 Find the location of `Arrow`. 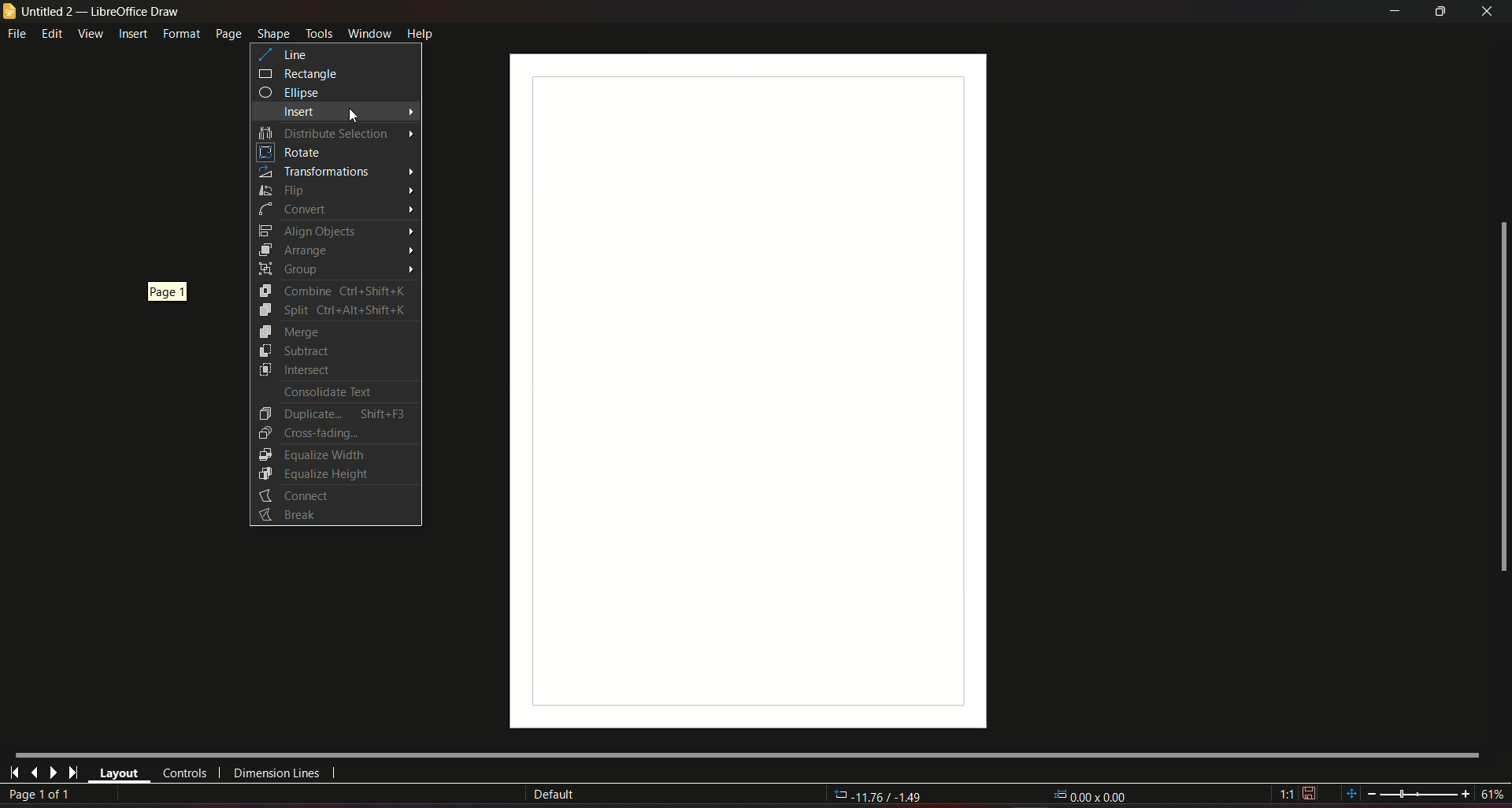

Arrow is located at coordinates (408, 268).